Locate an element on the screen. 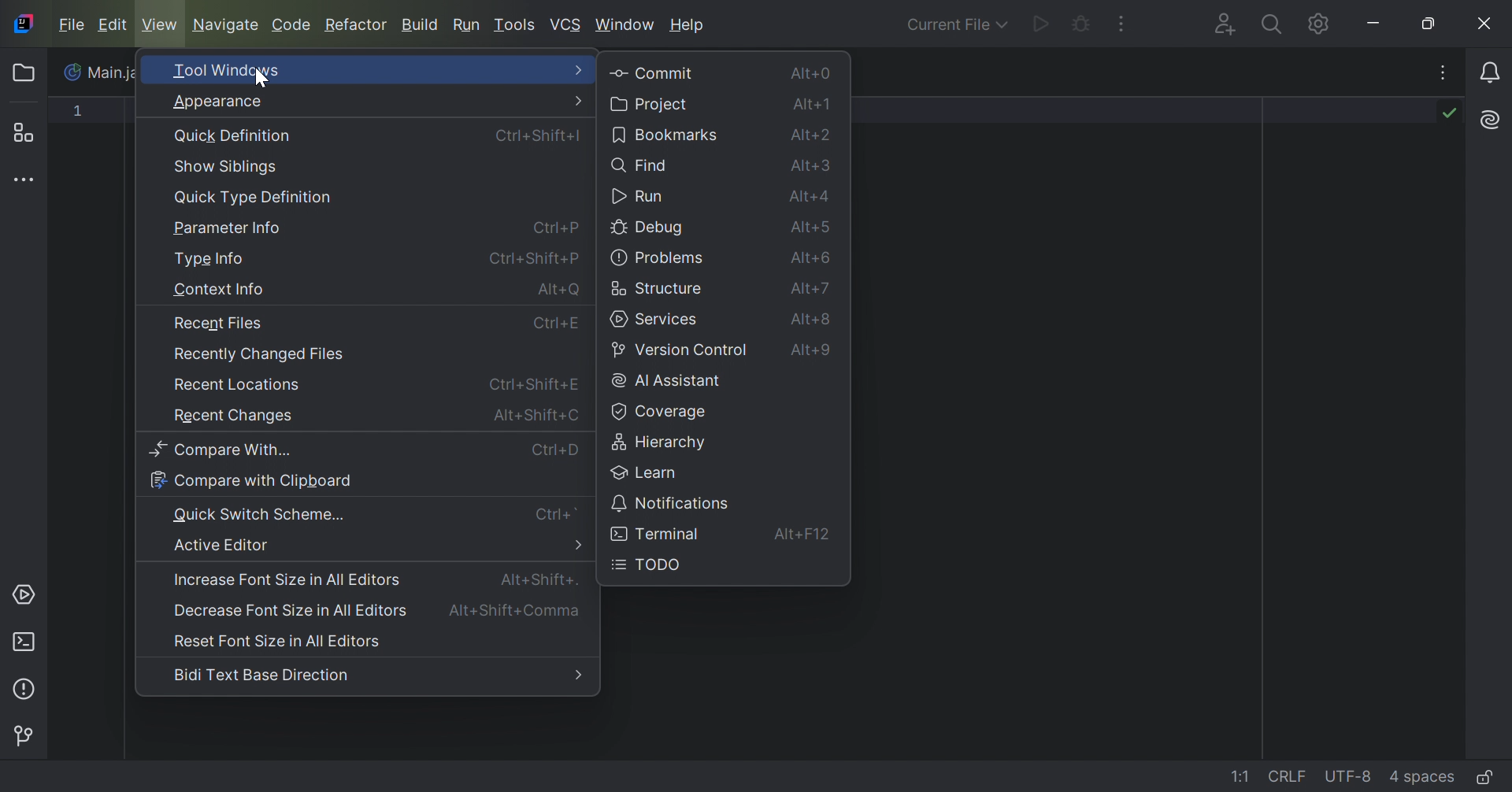 The height and width of the screenshot is (792, 1512). Recent Locations is located at coordinates (239, 384).